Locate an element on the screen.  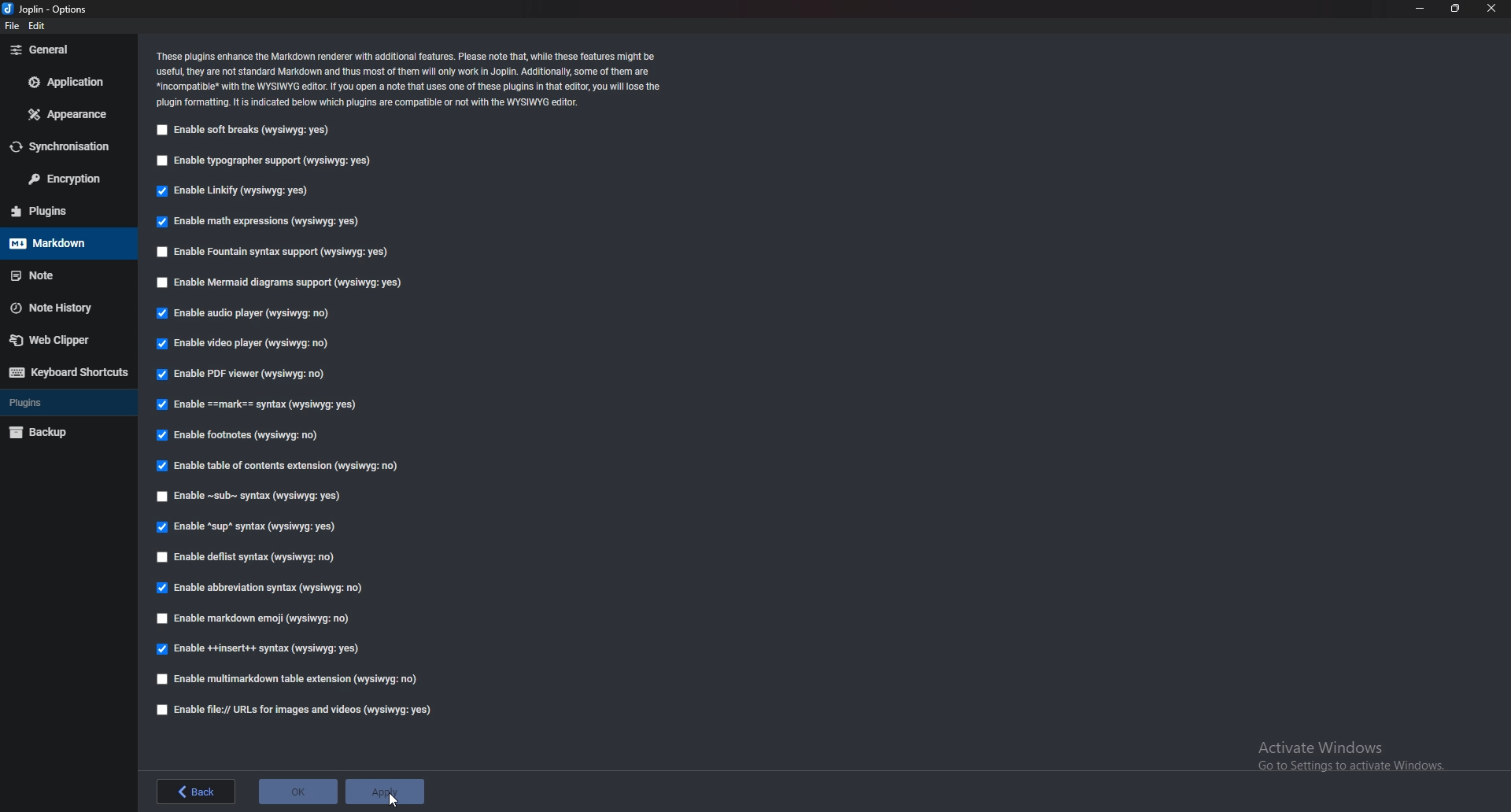
note is located at coordinates (59, 275).